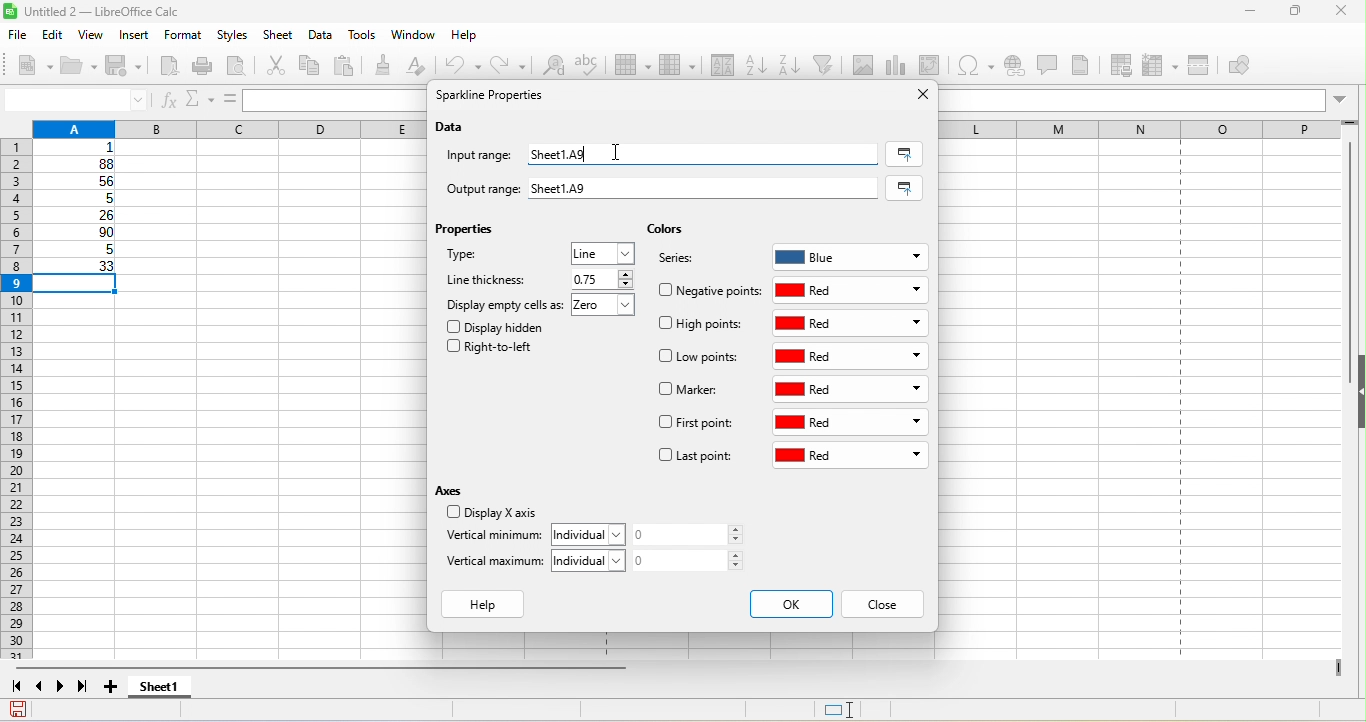 This screenshot has height=722, width=1366. Describe the element at coordinates (1126, 65) in the screenshot. I see `defined print area` at that location.